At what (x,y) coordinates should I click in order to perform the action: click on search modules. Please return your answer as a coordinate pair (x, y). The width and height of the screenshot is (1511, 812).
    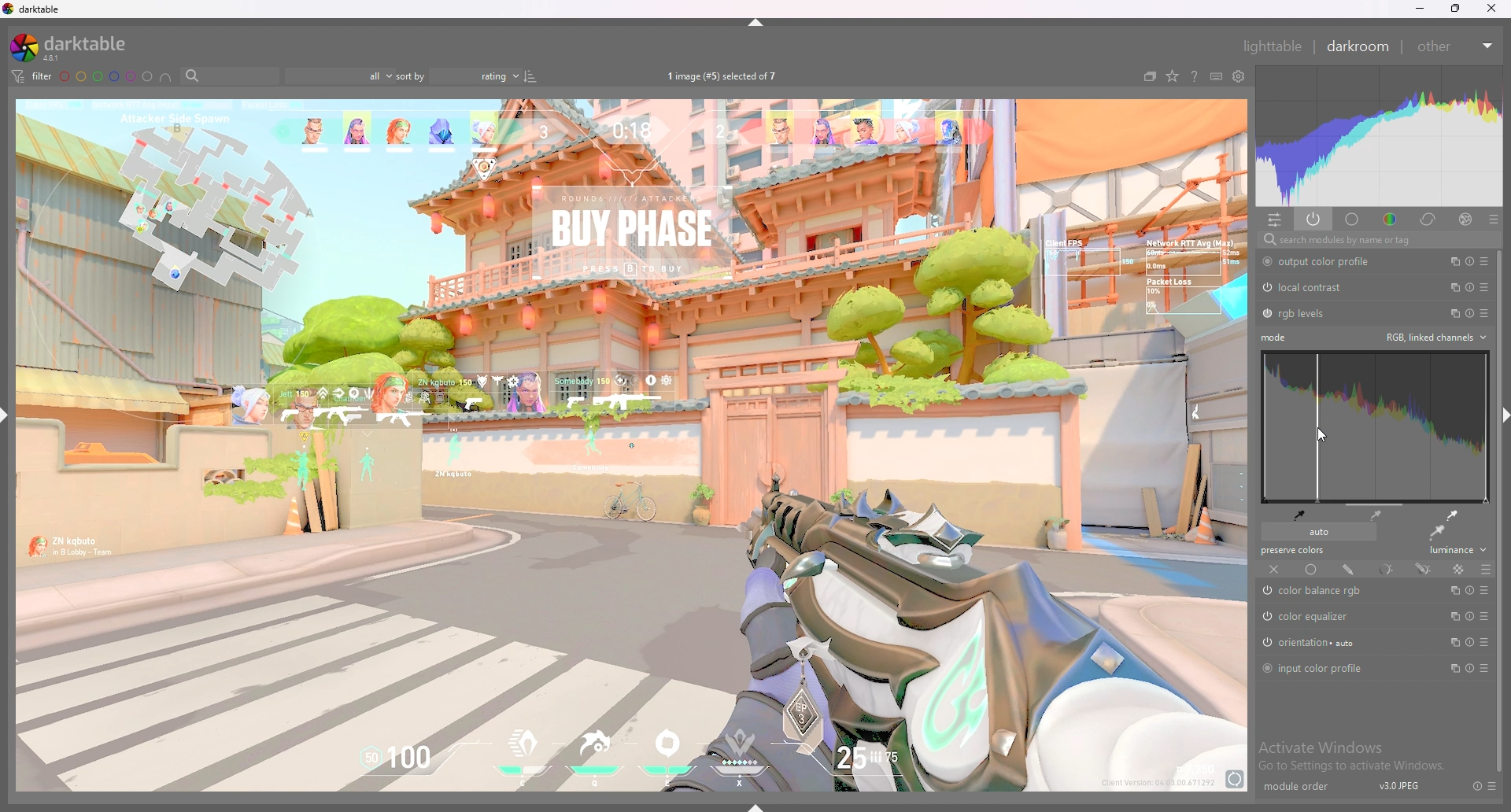
    Looking at the image, I should click on (1375, 241).